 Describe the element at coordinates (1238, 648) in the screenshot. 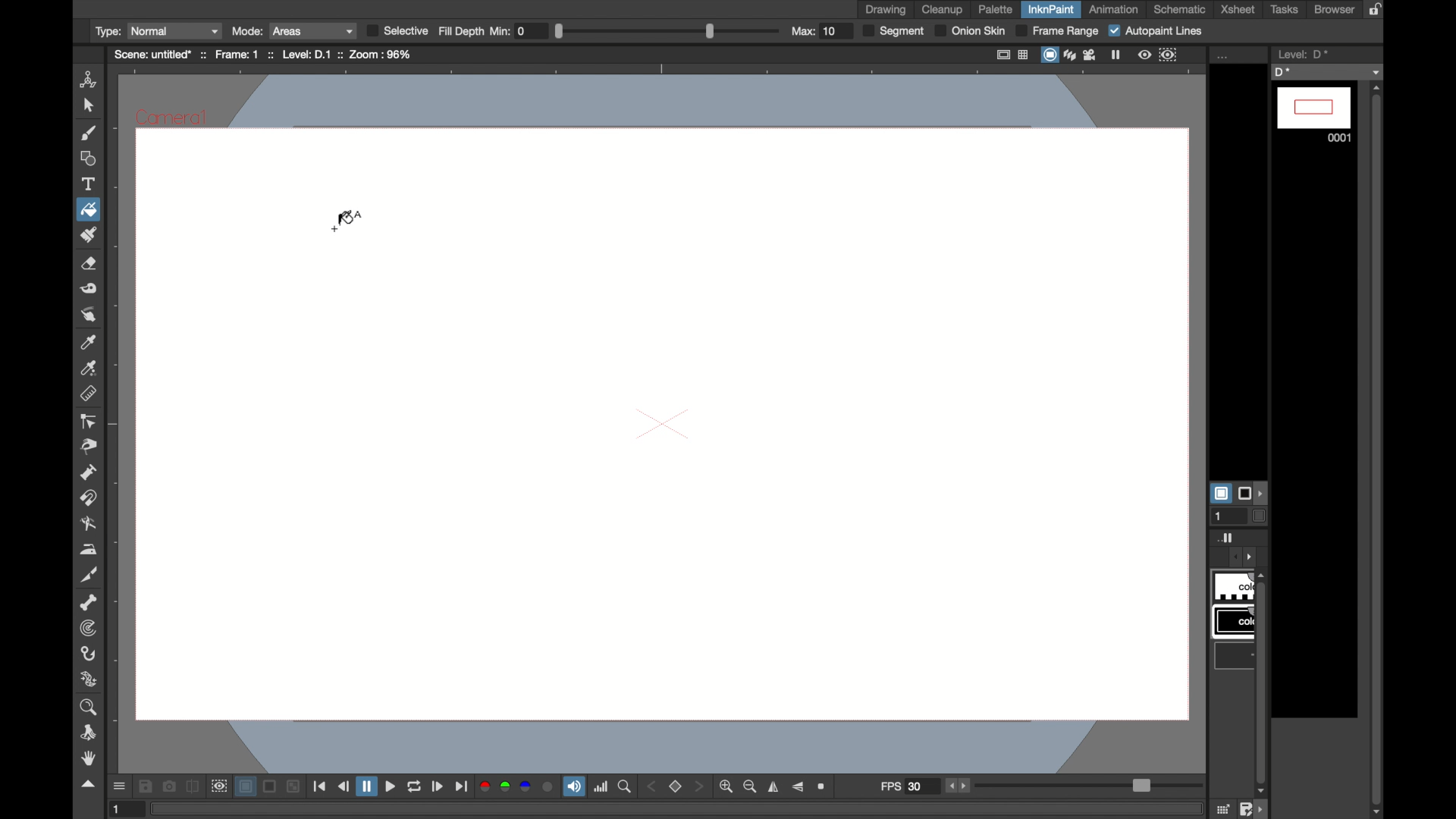

I see `obscure tab` at that location.